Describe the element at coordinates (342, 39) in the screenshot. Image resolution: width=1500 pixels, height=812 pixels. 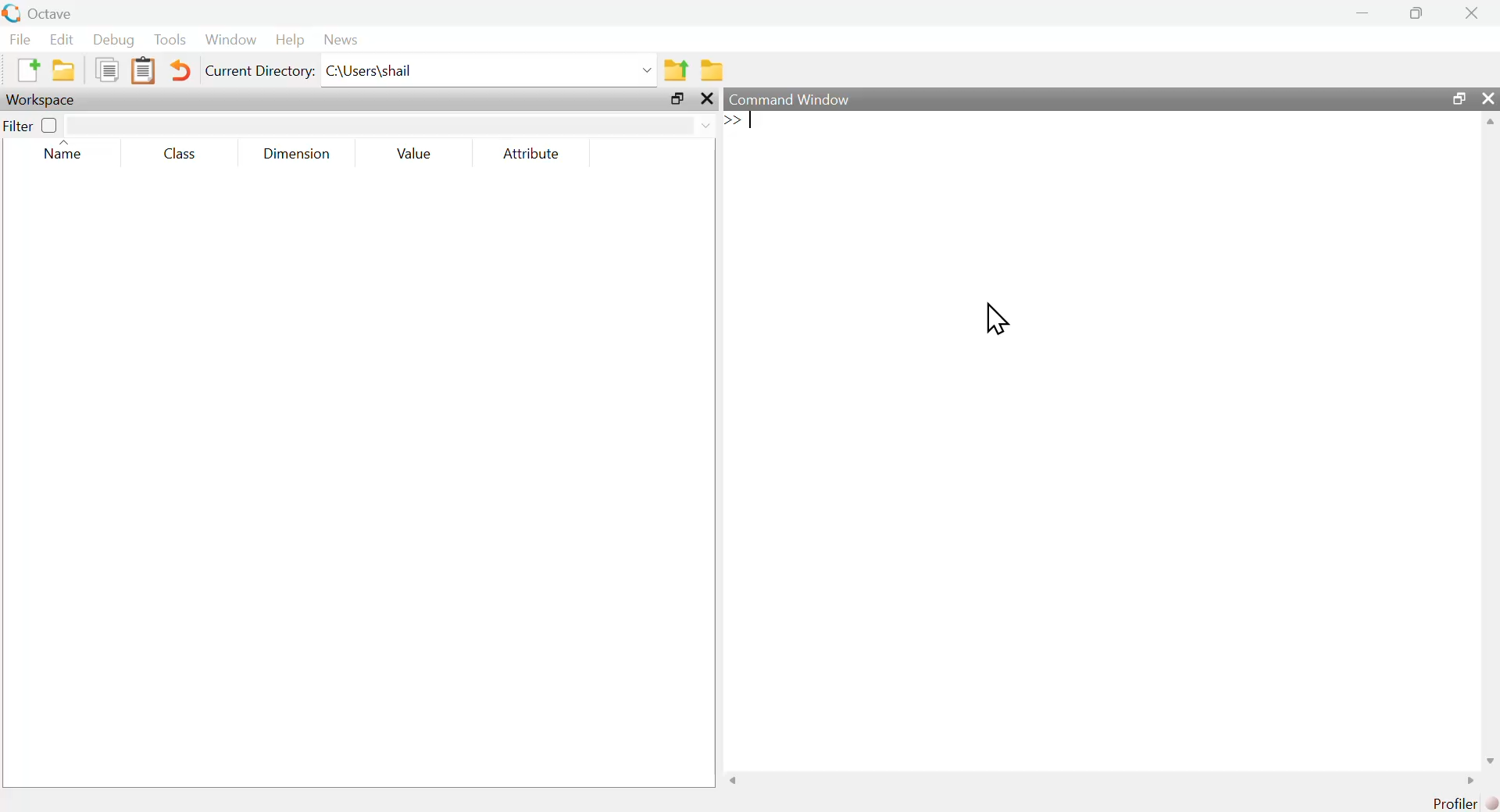
I see `News` at that location.